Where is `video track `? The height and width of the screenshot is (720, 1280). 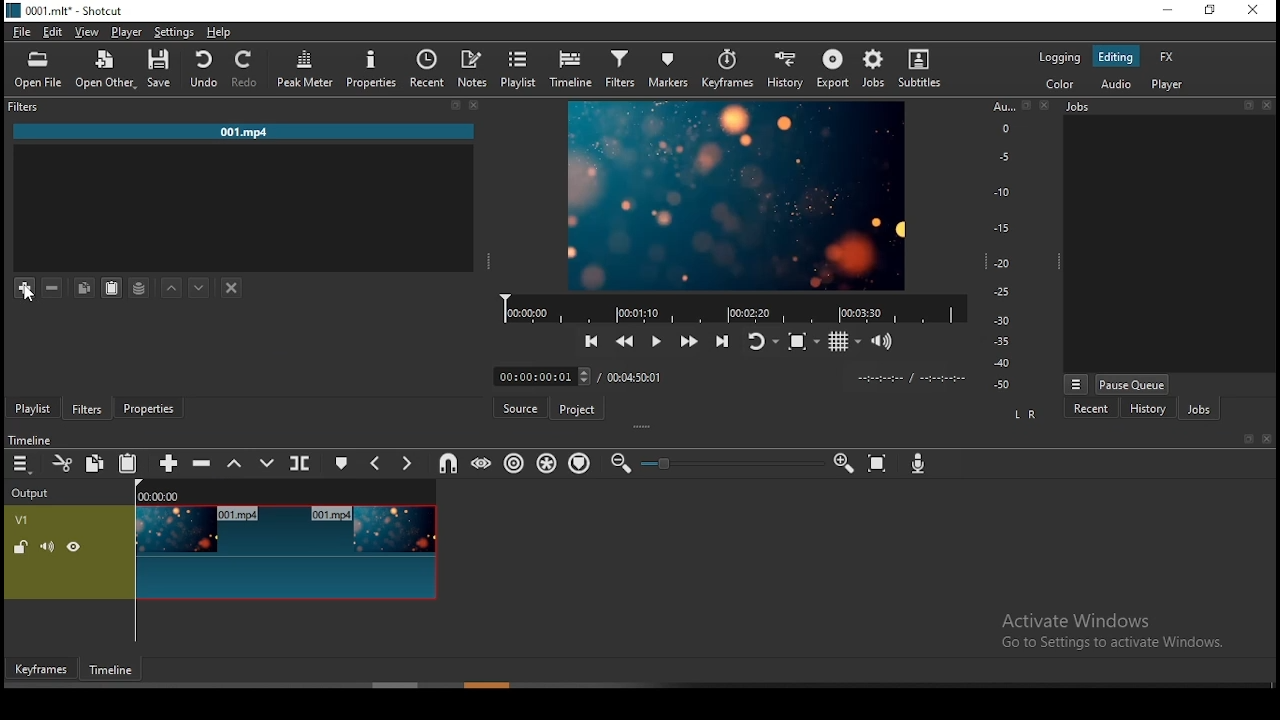
video track  is located at coordinates (220, 553).